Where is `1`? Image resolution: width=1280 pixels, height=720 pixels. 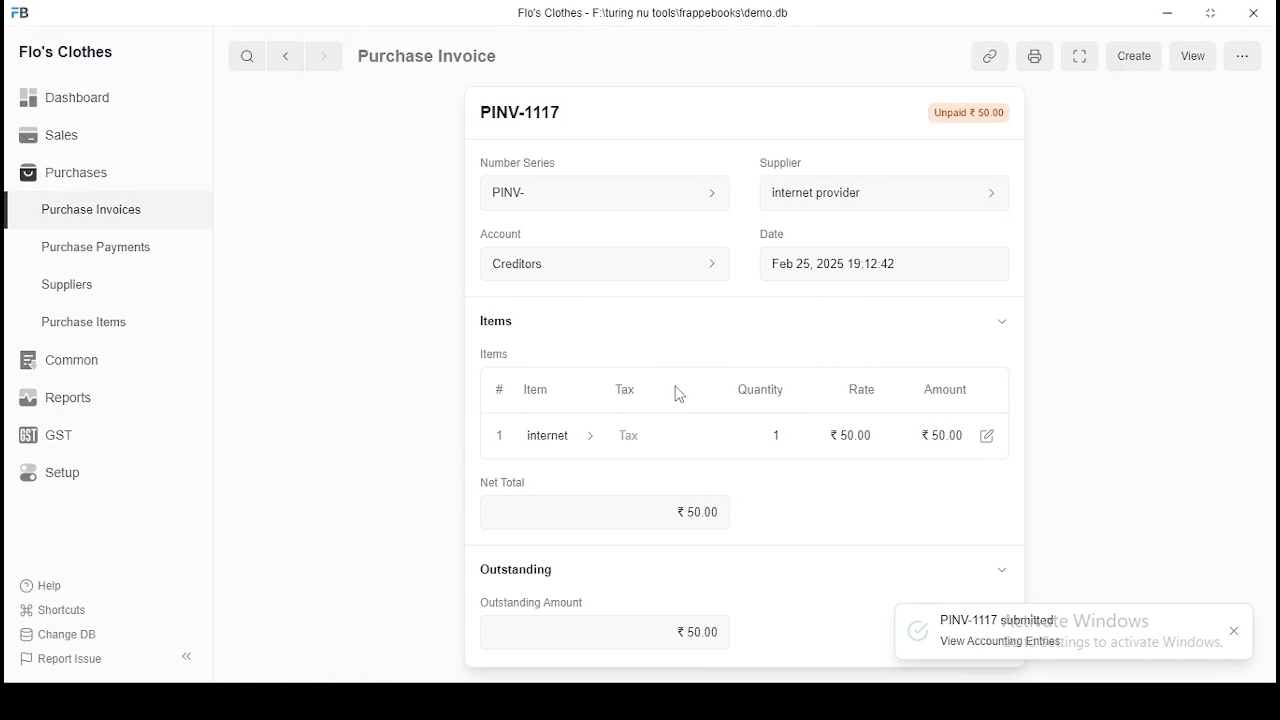 1 is located at coordinates (774, 435).